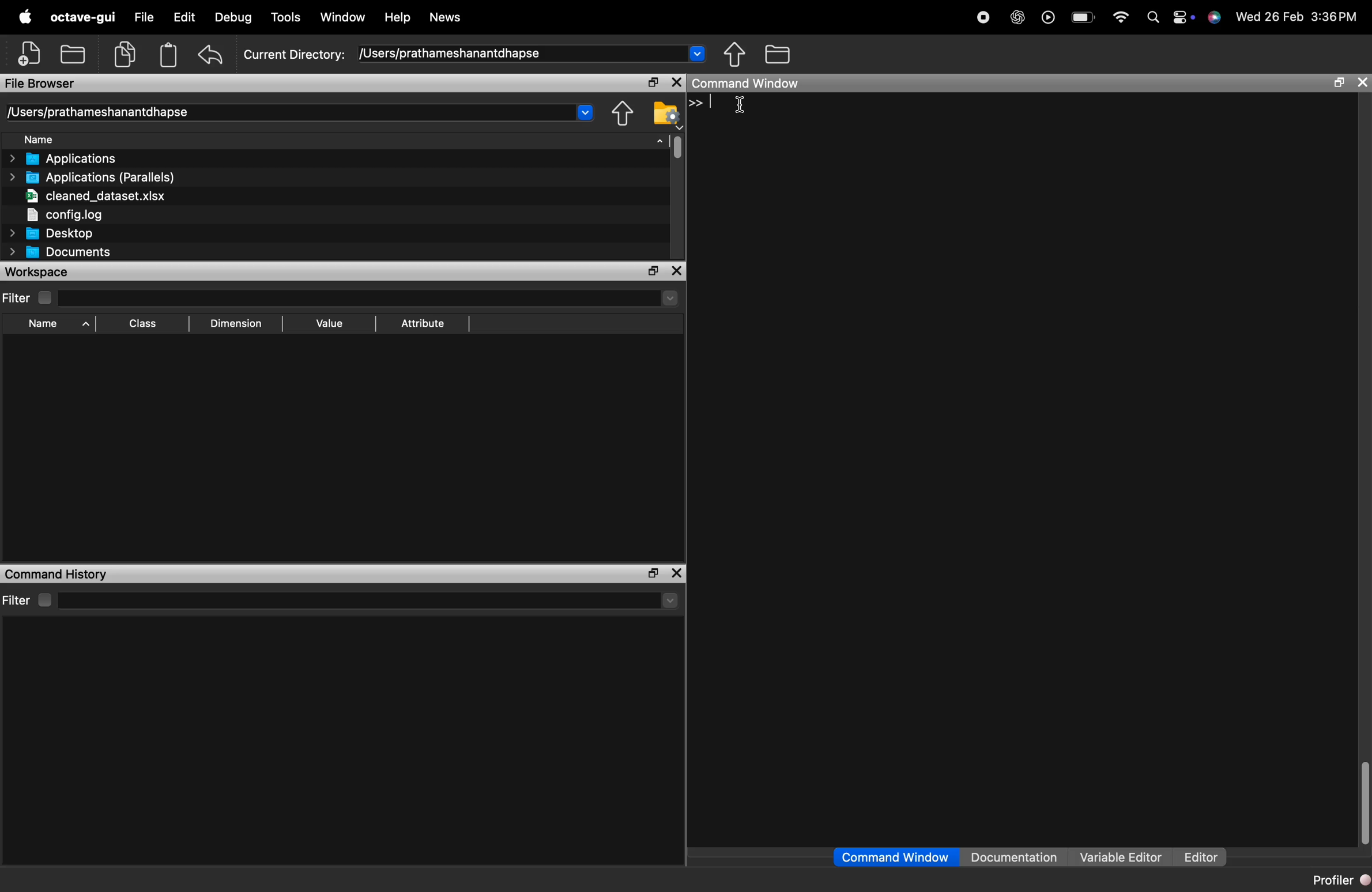 The width and height of the screenshot is (1372, 892). I want to click on control center, so click(1185, 18).